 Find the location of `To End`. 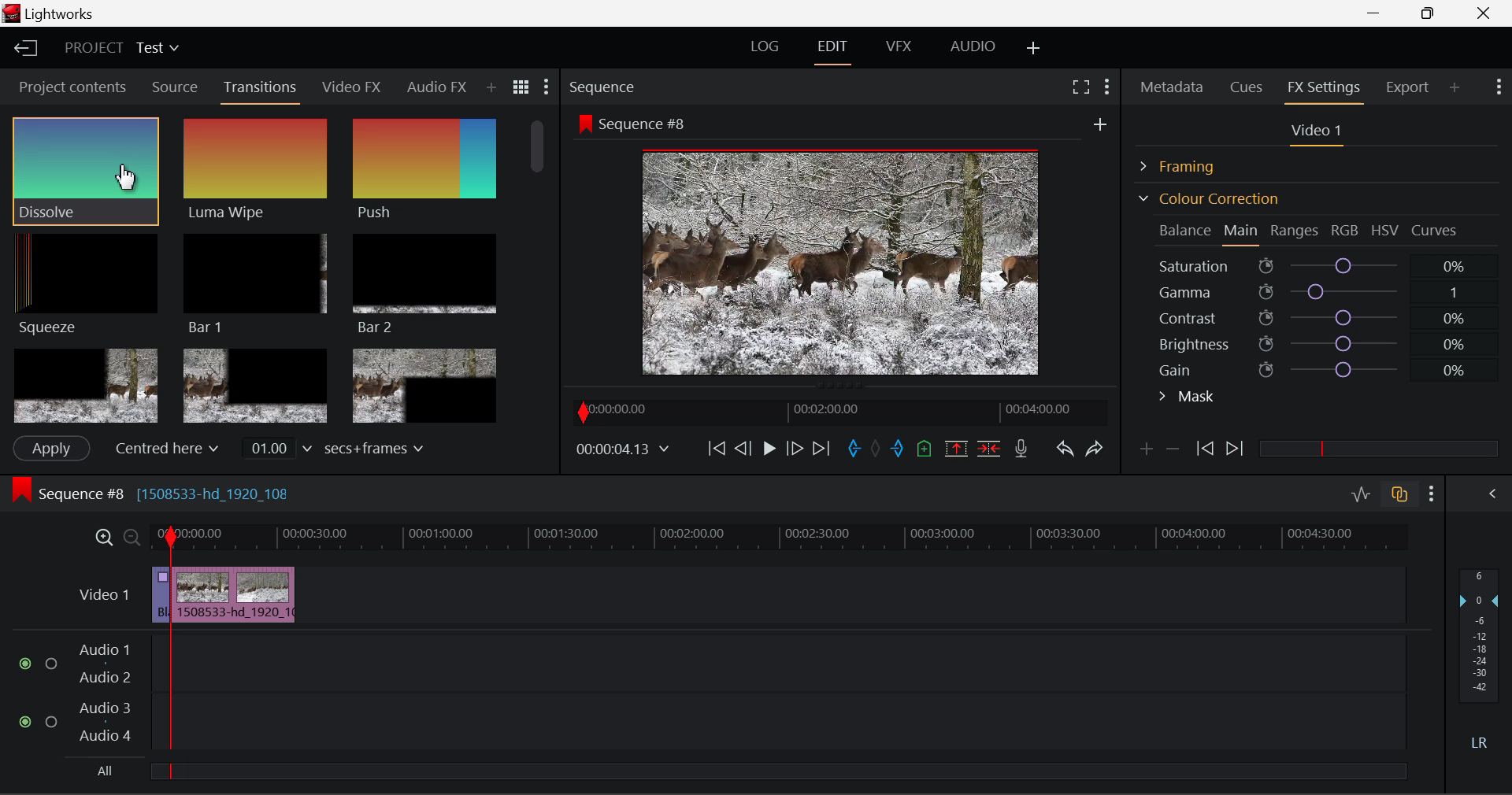

To End is located at coordinates (821, 449).